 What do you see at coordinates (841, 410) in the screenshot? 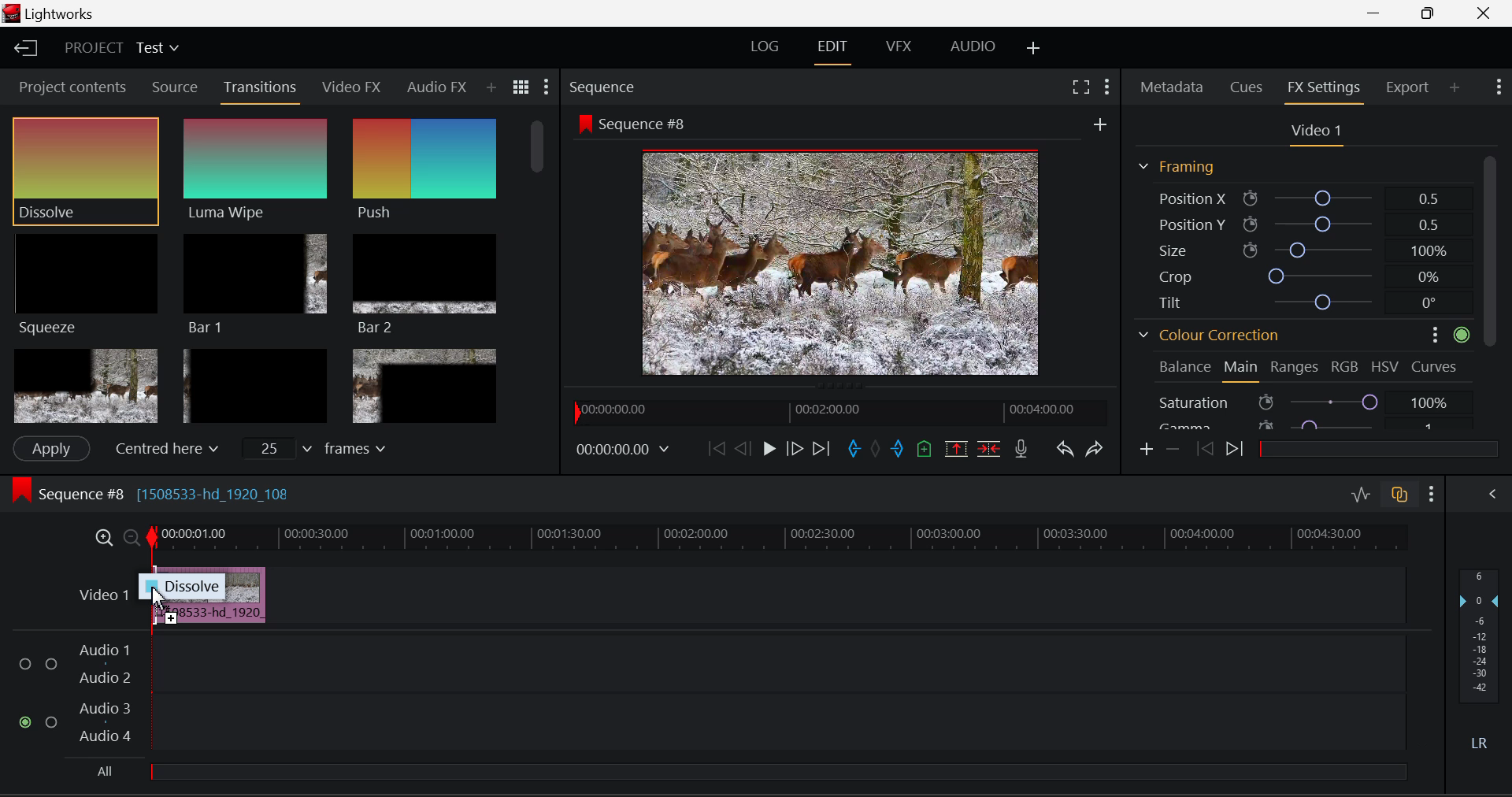
I see `Project Timeline Navigator` at bounding box center [841, 410].